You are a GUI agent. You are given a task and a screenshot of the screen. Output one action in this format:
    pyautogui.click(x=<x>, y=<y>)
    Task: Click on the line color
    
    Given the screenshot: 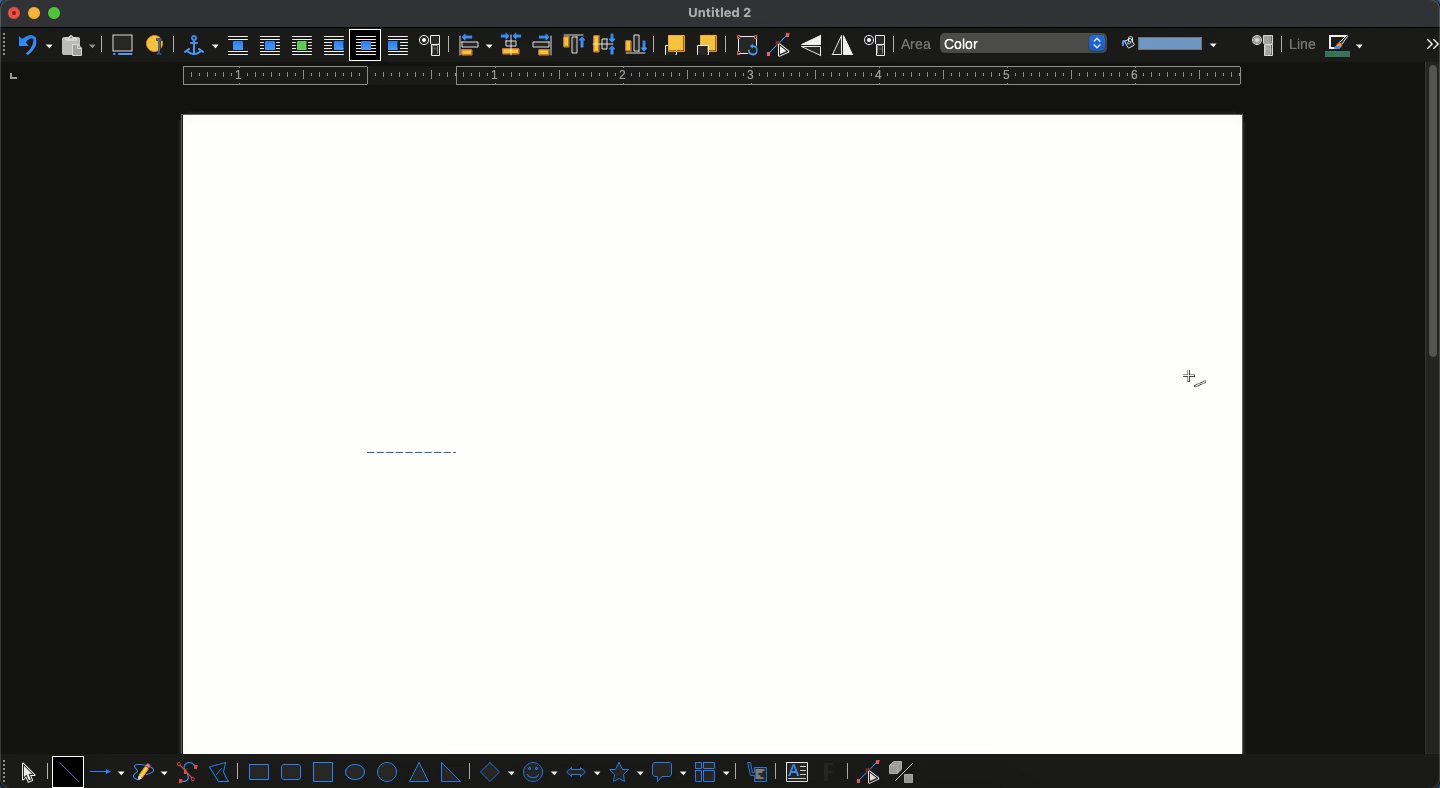 What is the action you would take?
    pyautogui.click(x=1327, y=45)
    